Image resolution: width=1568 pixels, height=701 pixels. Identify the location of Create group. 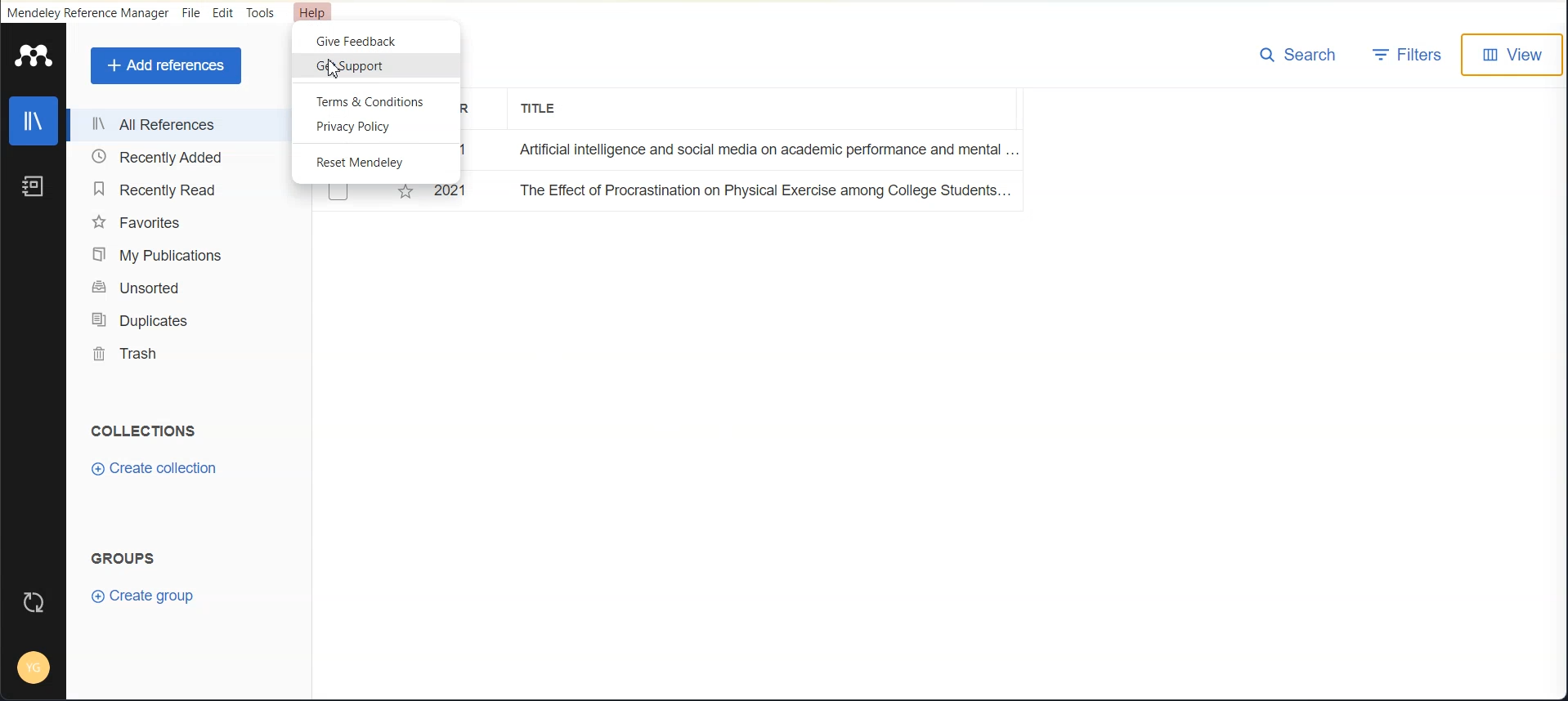
(146, 596).